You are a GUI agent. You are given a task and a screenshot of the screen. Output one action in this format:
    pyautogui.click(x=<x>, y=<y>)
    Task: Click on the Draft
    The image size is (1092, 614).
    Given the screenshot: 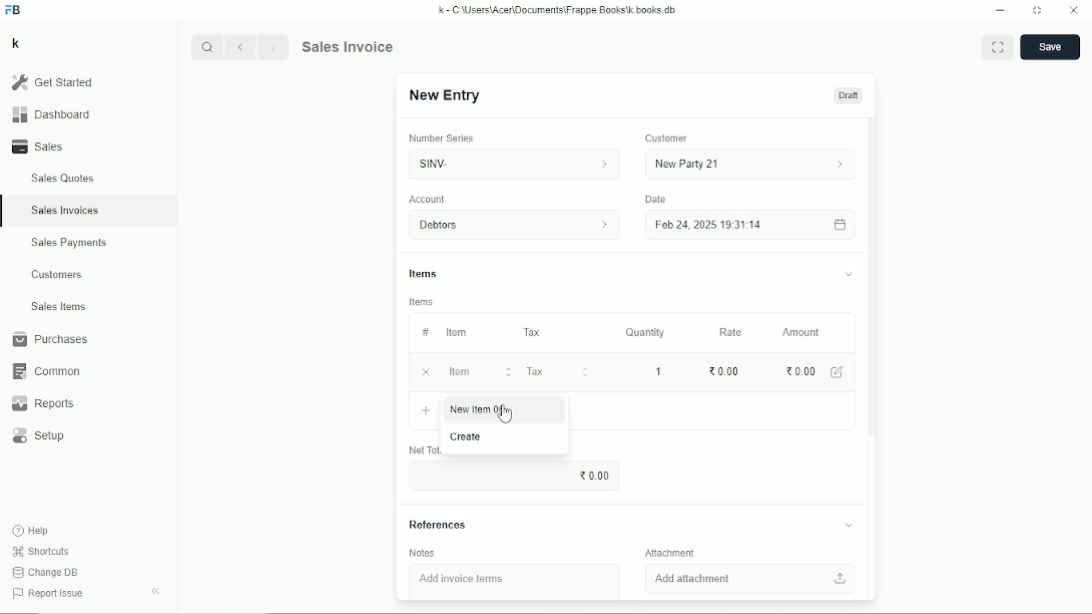 What is the action you would take?
    pyautogui.click(x=848, y=95)
    